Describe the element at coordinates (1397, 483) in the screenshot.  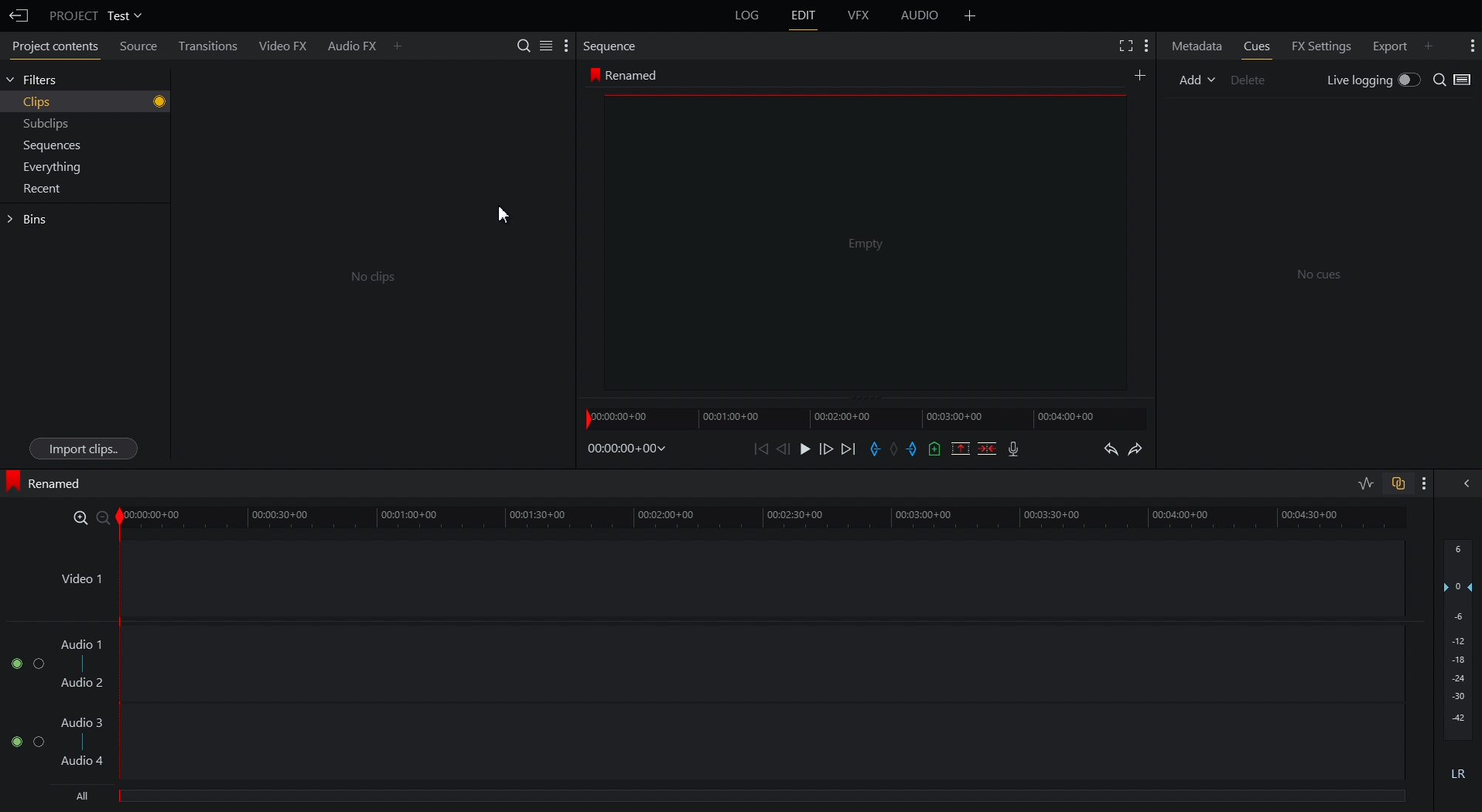
I see `Toggle auto track sync` at that location.